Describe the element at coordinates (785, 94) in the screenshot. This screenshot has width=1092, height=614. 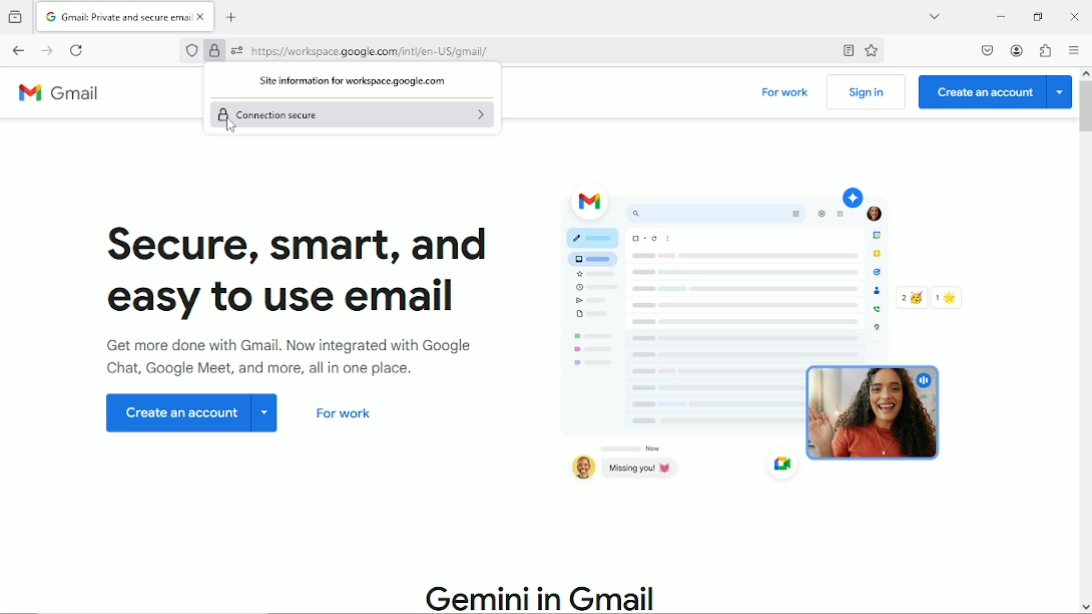
I see `For work` at that location.